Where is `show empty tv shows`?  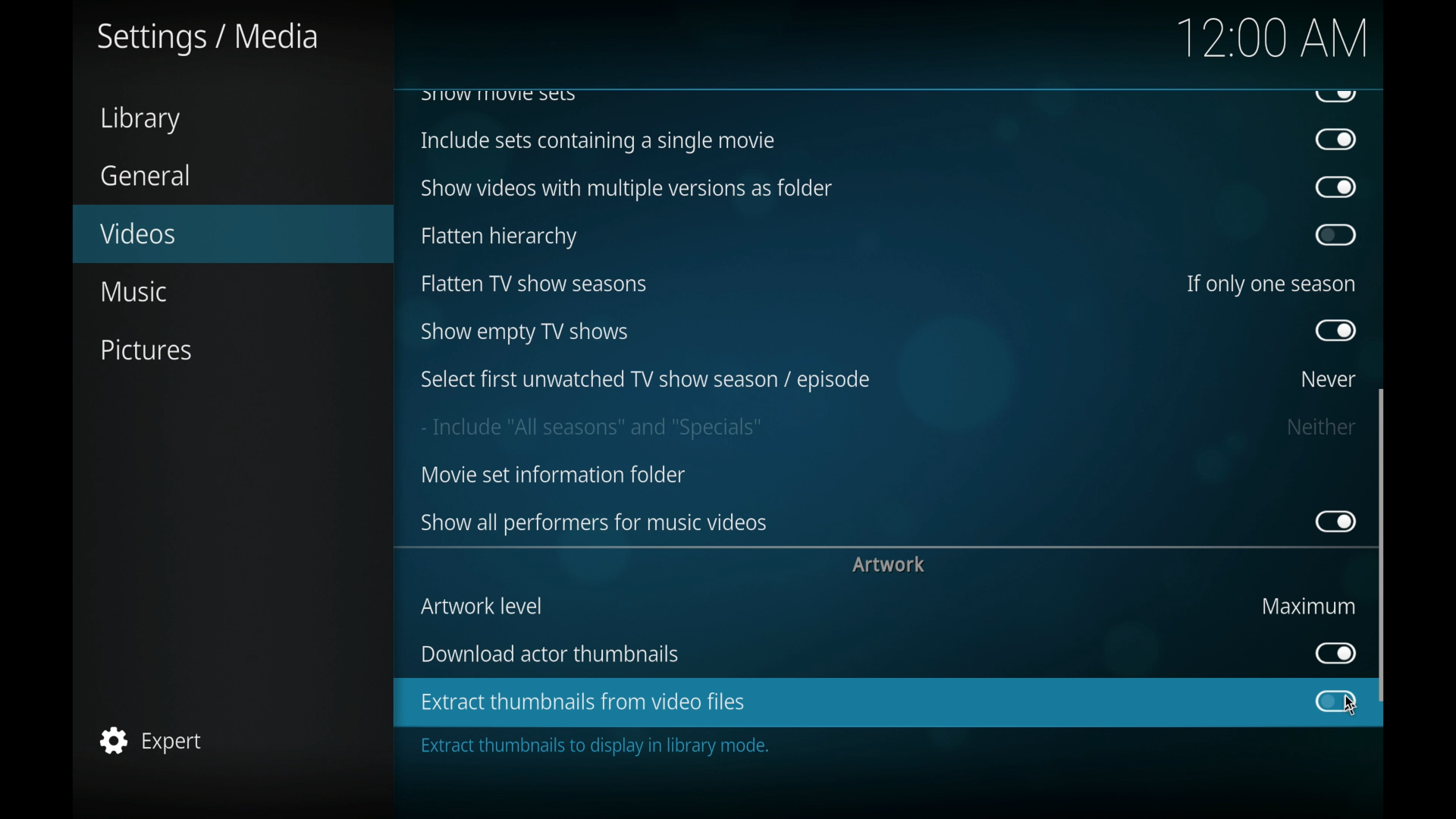
show empty tv shows is located at coordinates (526, 334).